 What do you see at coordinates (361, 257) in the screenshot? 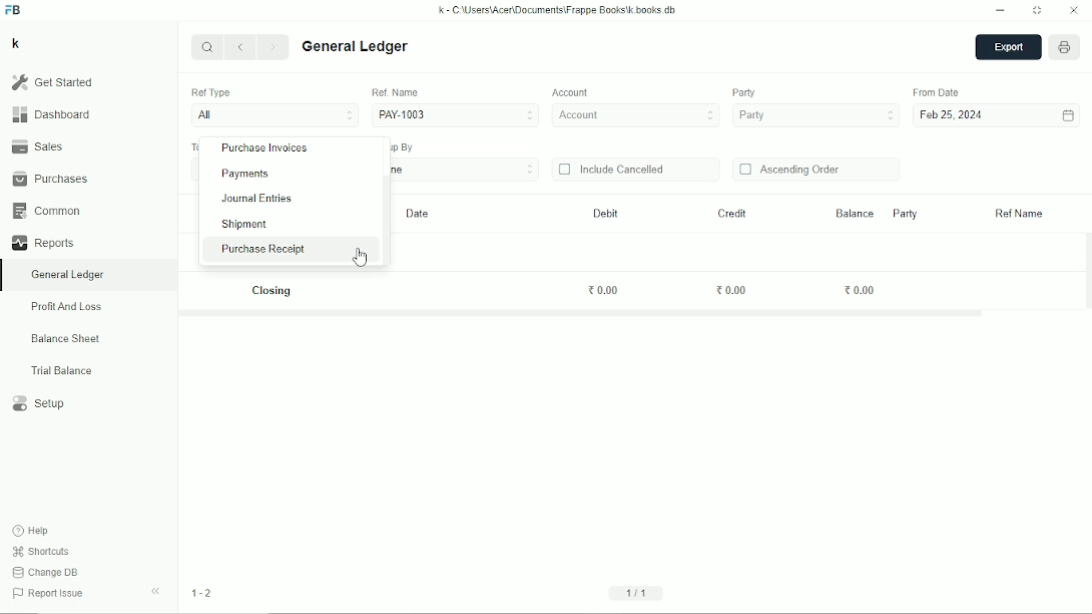
I see `Cursor` at bounding box center [361, 257].